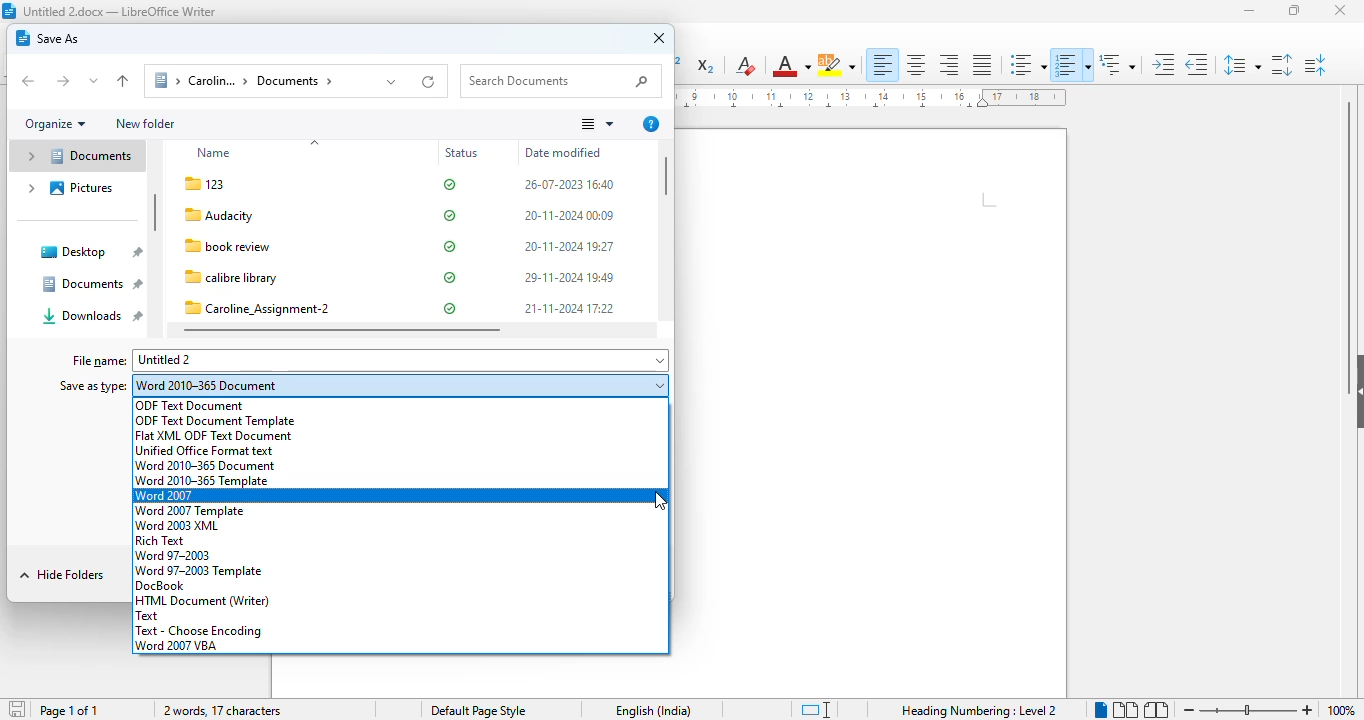  I want to click on book view, so click(1155, 709).